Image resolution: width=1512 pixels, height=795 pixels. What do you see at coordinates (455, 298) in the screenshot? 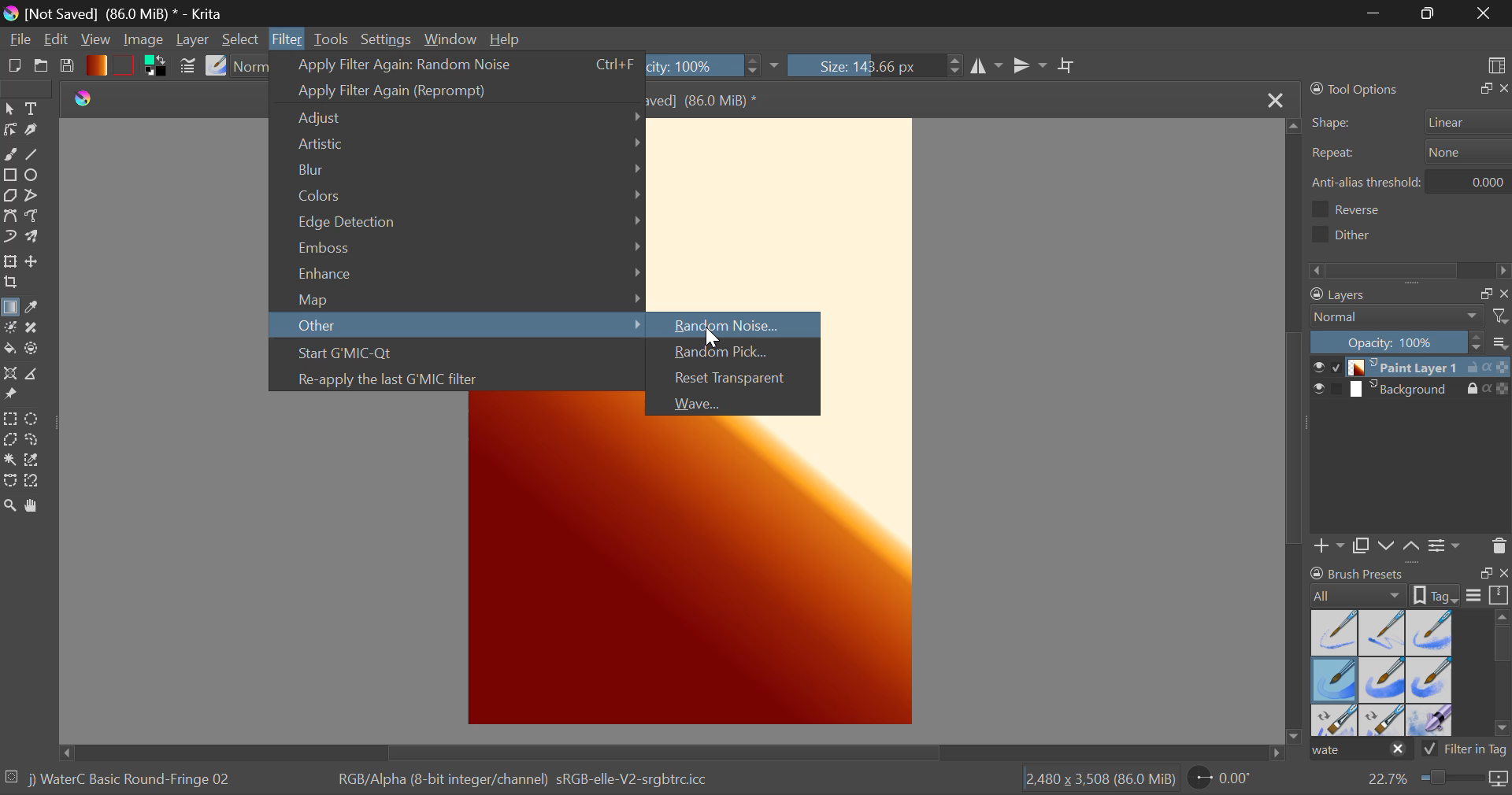
I see `Map` at bounding box center [455, 298].